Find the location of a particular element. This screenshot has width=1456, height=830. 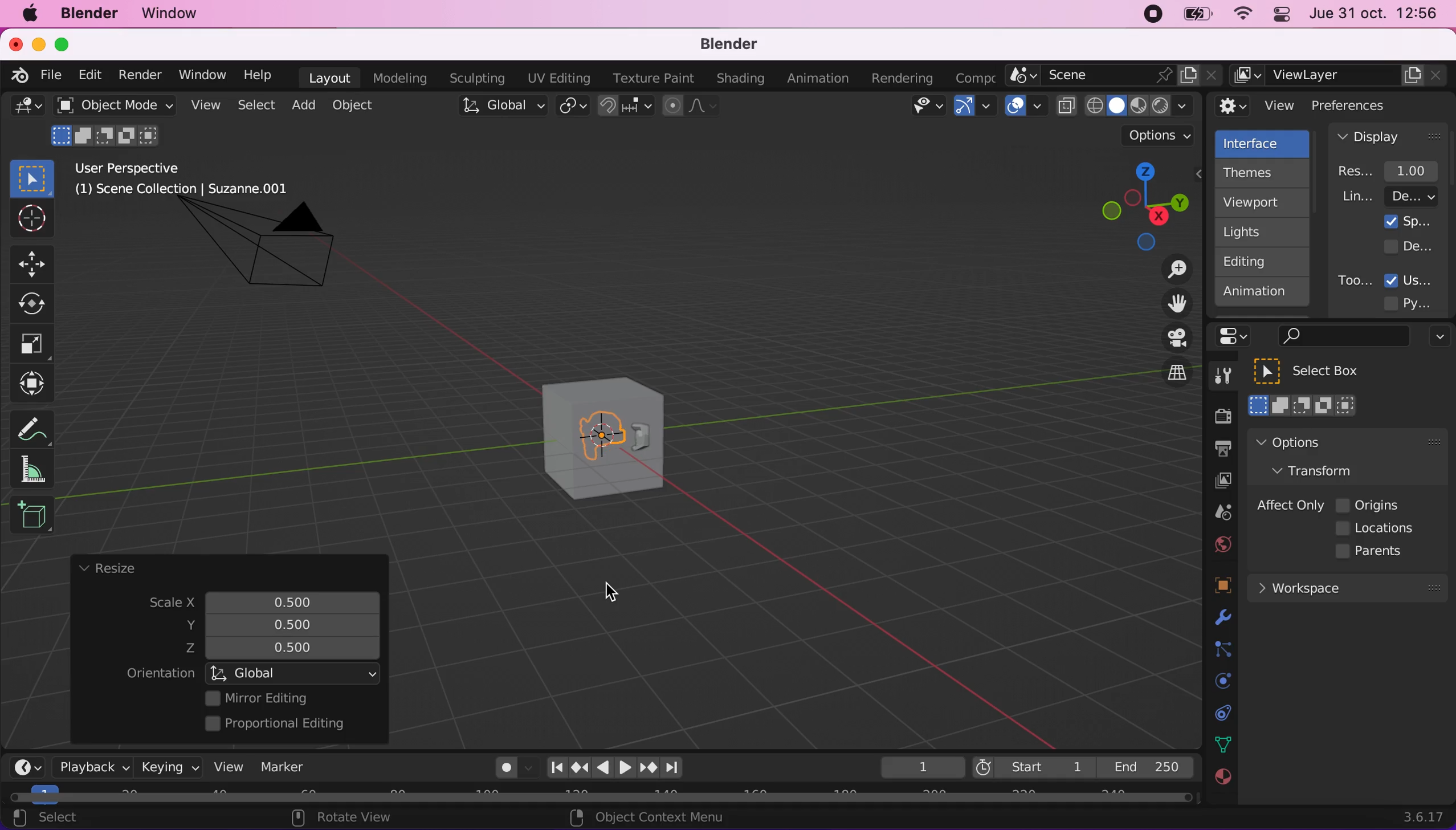

display panel is located at coordinates (1389, 136).